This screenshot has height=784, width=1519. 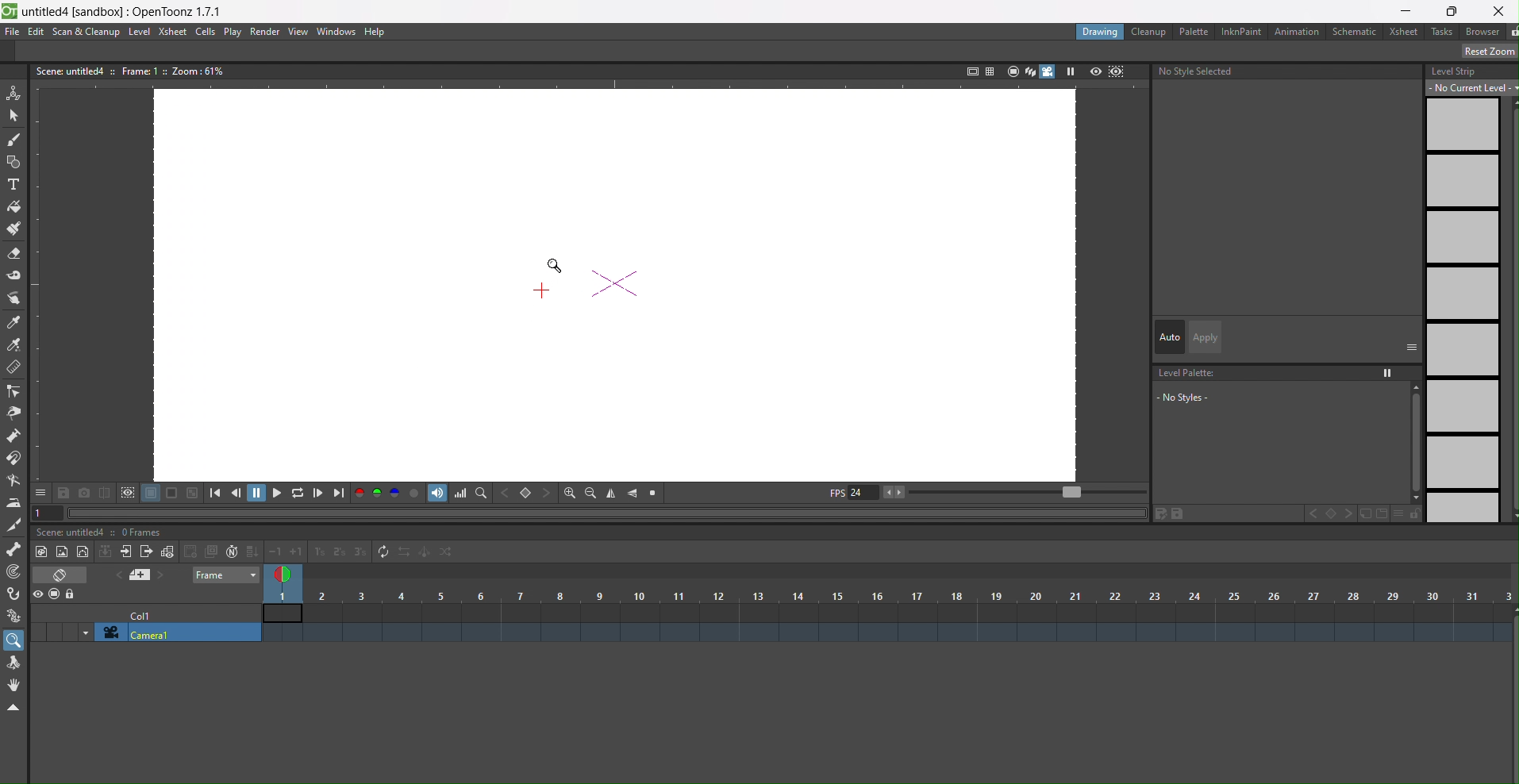 What do you see at coordinates (141, 576) in the screenshot?
I see `icon` at bounding box center [141, 576].